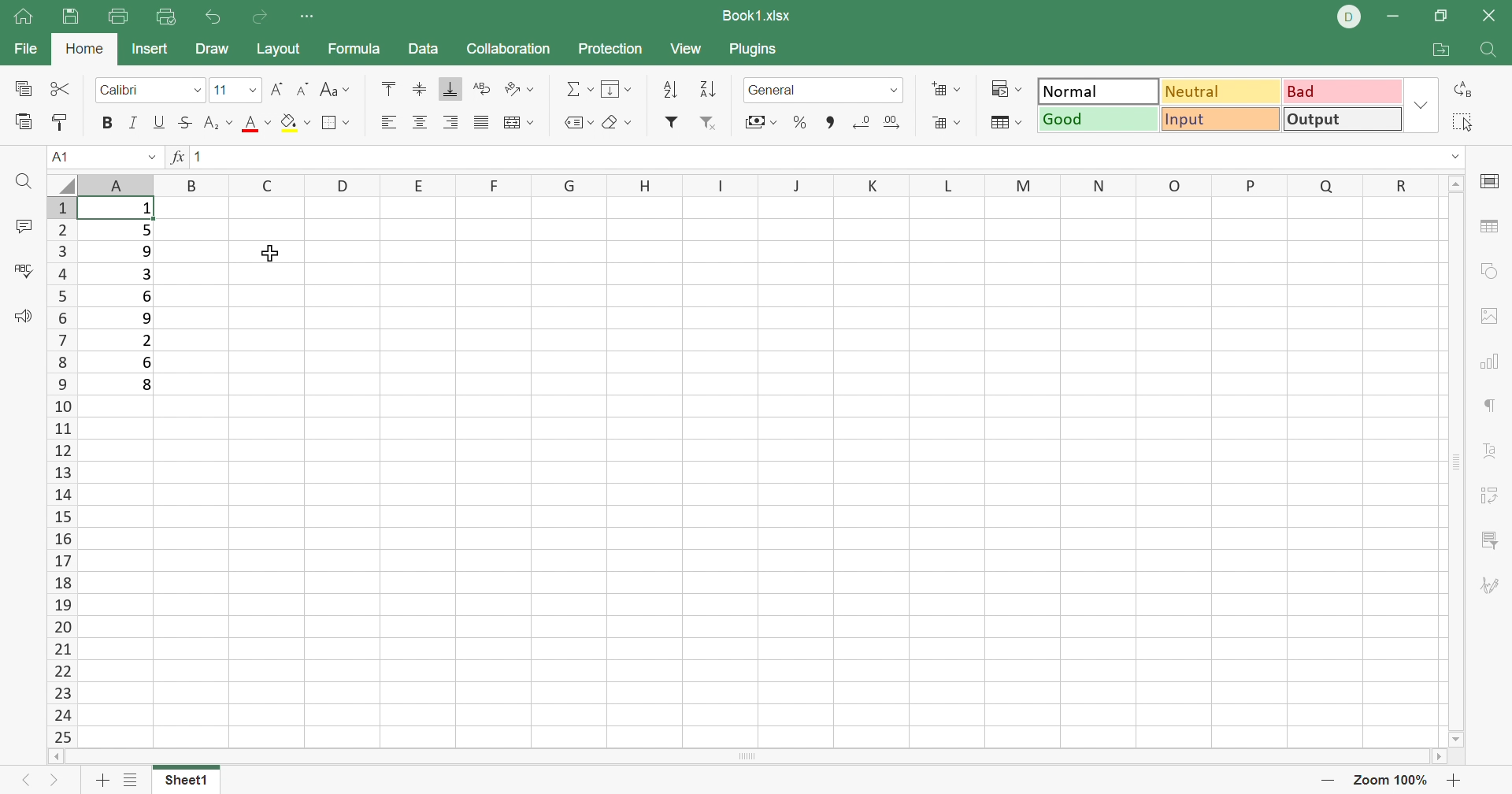 This screenshot has width=1512, height=794. Describe the element at coordinates (1344, 91) in the screenshot. I see `Bad` at that location.